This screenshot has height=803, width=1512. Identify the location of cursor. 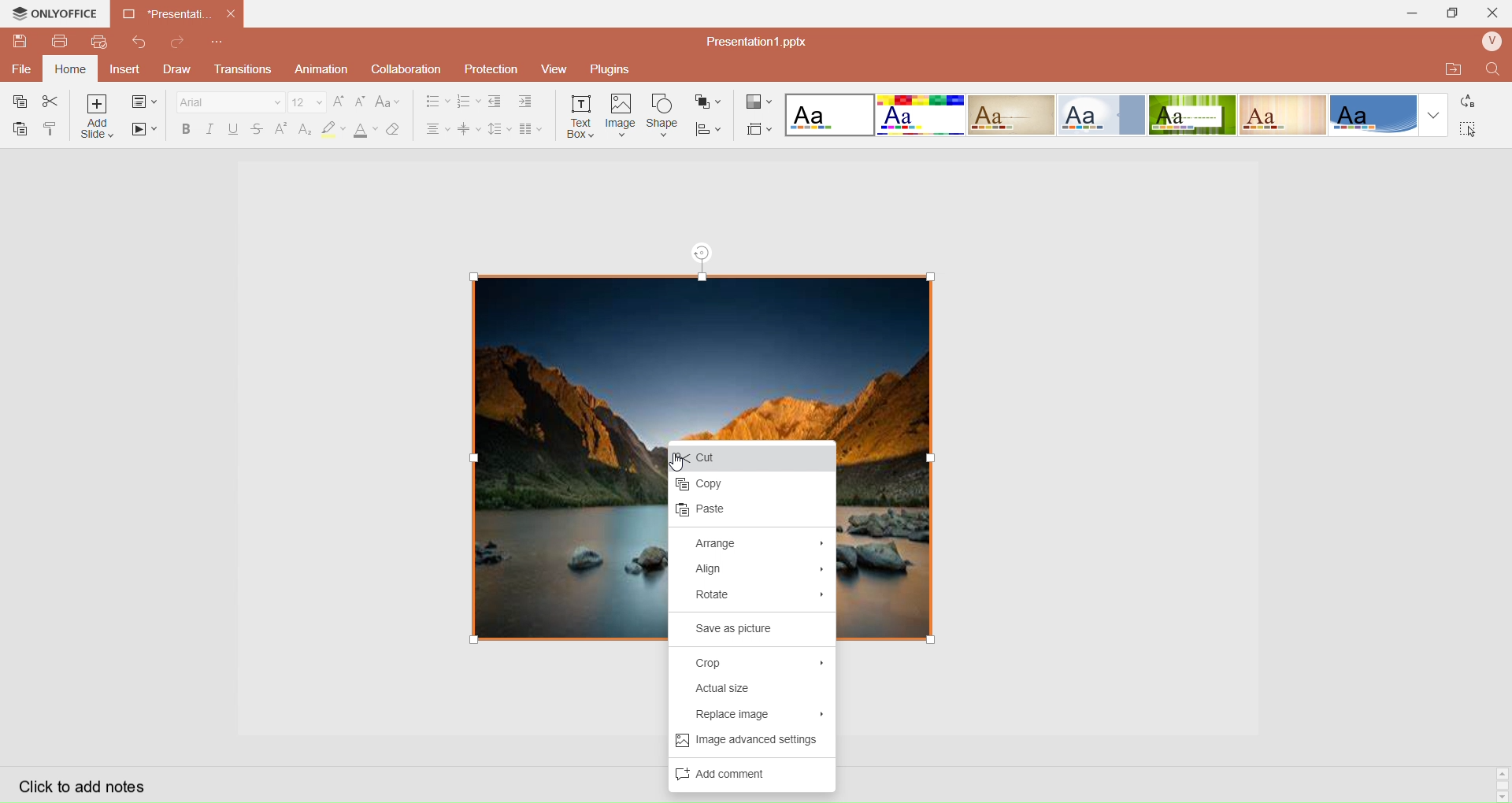
(678, 462).